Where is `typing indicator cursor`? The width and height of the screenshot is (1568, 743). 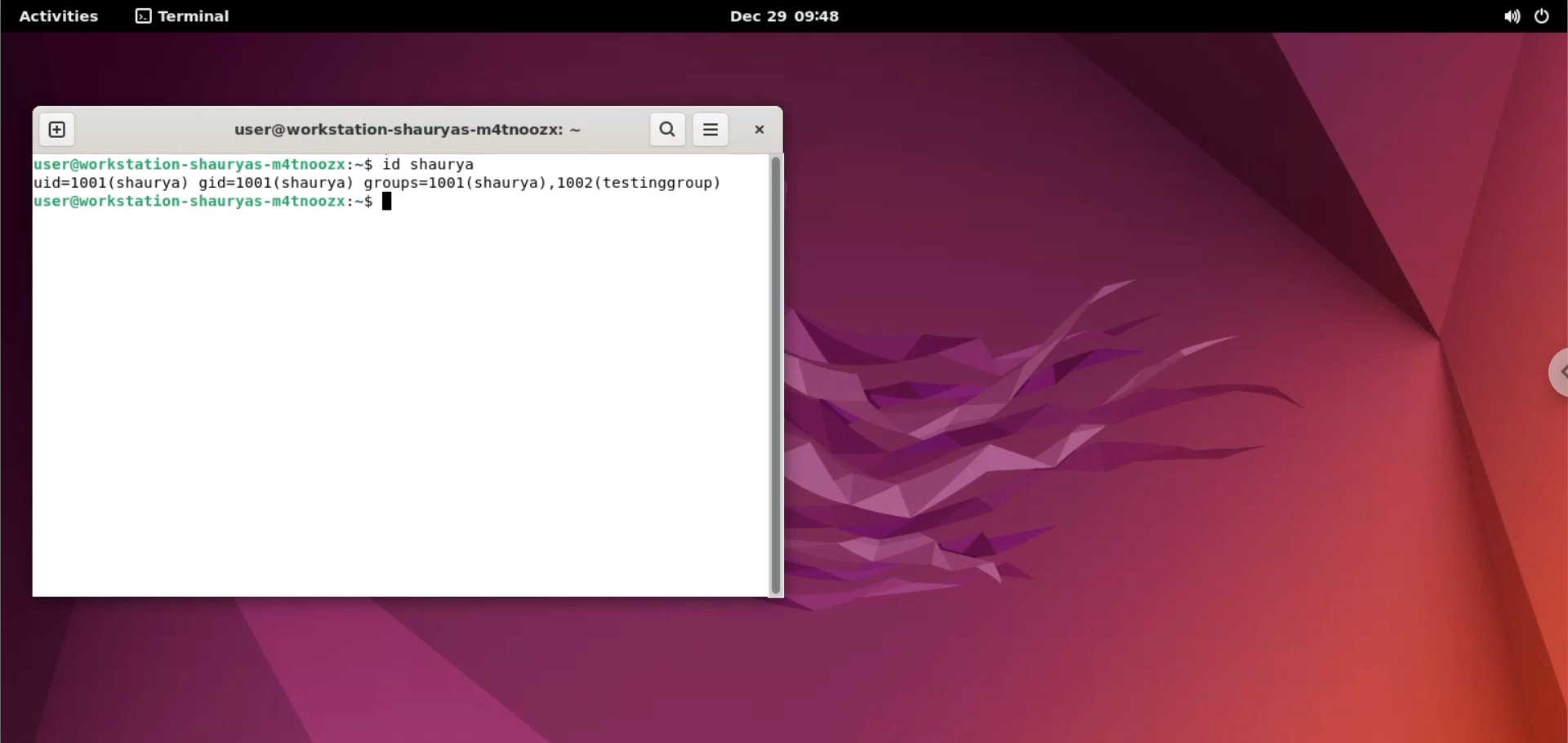 typing indicator cursor is located at coordinates (387, 204).